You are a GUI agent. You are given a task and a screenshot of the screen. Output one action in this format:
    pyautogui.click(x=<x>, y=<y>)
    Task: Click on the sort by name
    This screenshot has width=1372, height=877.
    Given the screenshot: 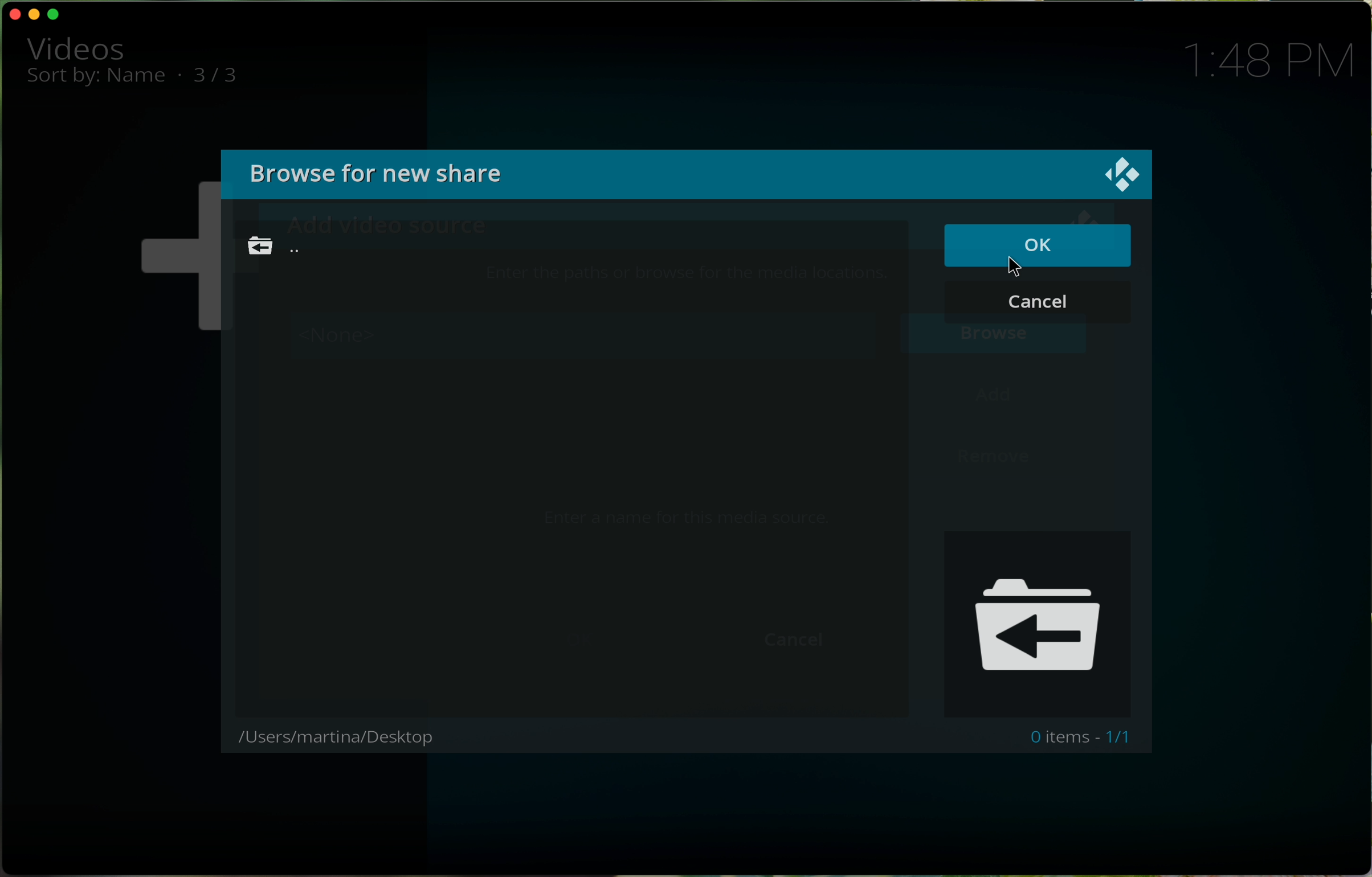 What is the action you would take?
    pyautogui.click(x=97, y=80)
    